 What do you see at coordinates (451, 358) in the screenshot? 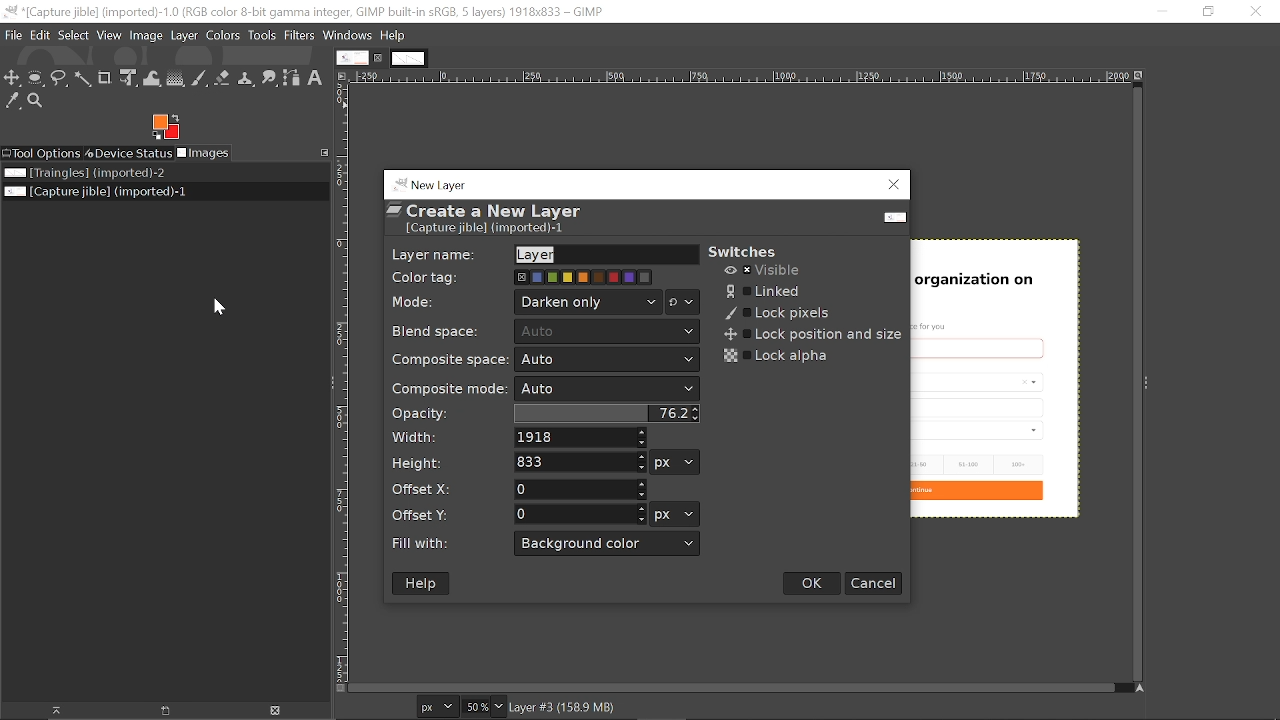
I see `Composite space:` at bounding box center [451, 358].